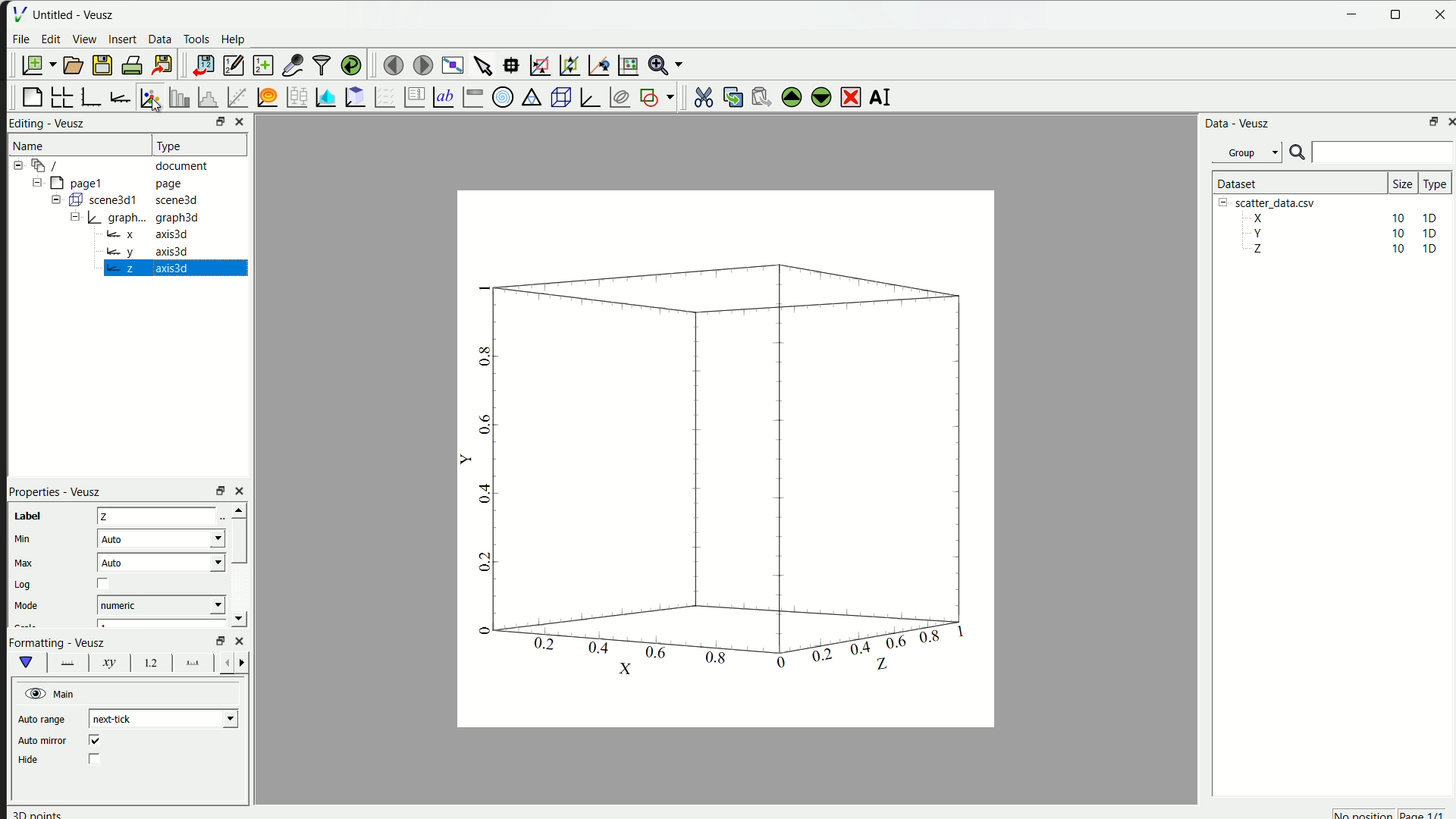 Image resolution: width=1456 pixels, height=819 pixels. What do you see at coordinates (352, 64) in the screenshot?
I see `reload linked dataset` at bounding box center [352, 64].